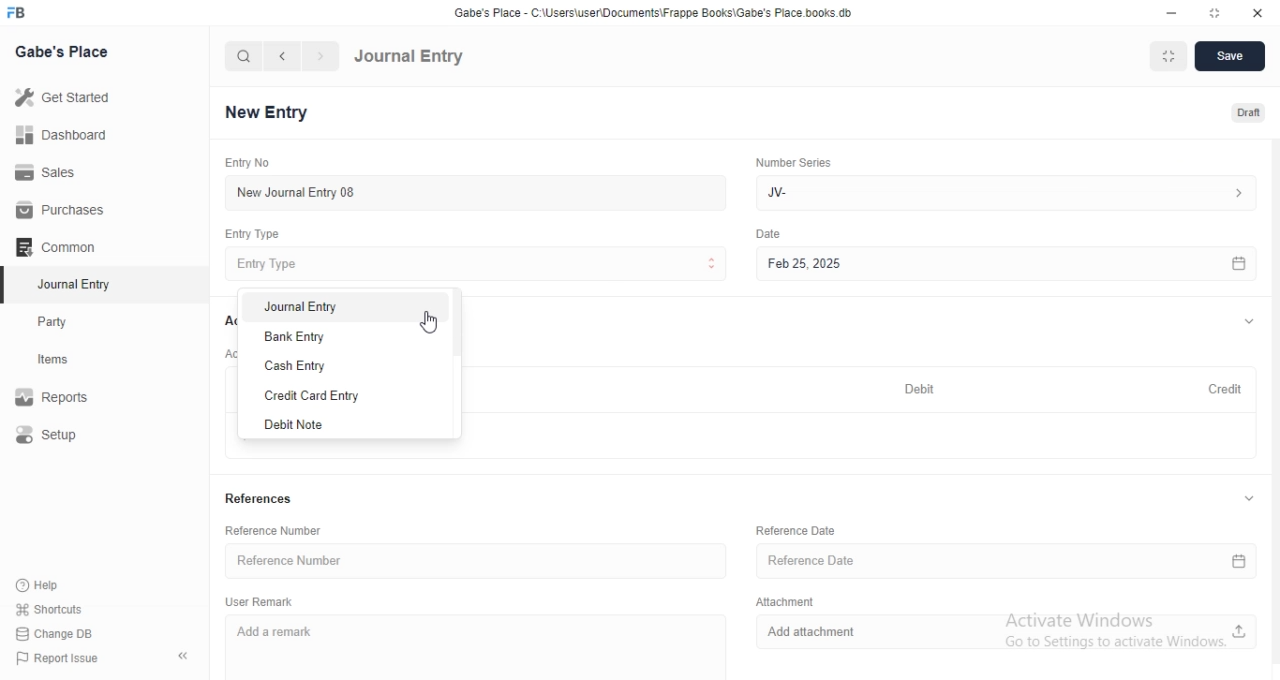 The image size is (1280, 680). What do you see at coordinates (1248, 323) in the screenshot?
I see `expand/collapse` at bounding box center [1248, 323].